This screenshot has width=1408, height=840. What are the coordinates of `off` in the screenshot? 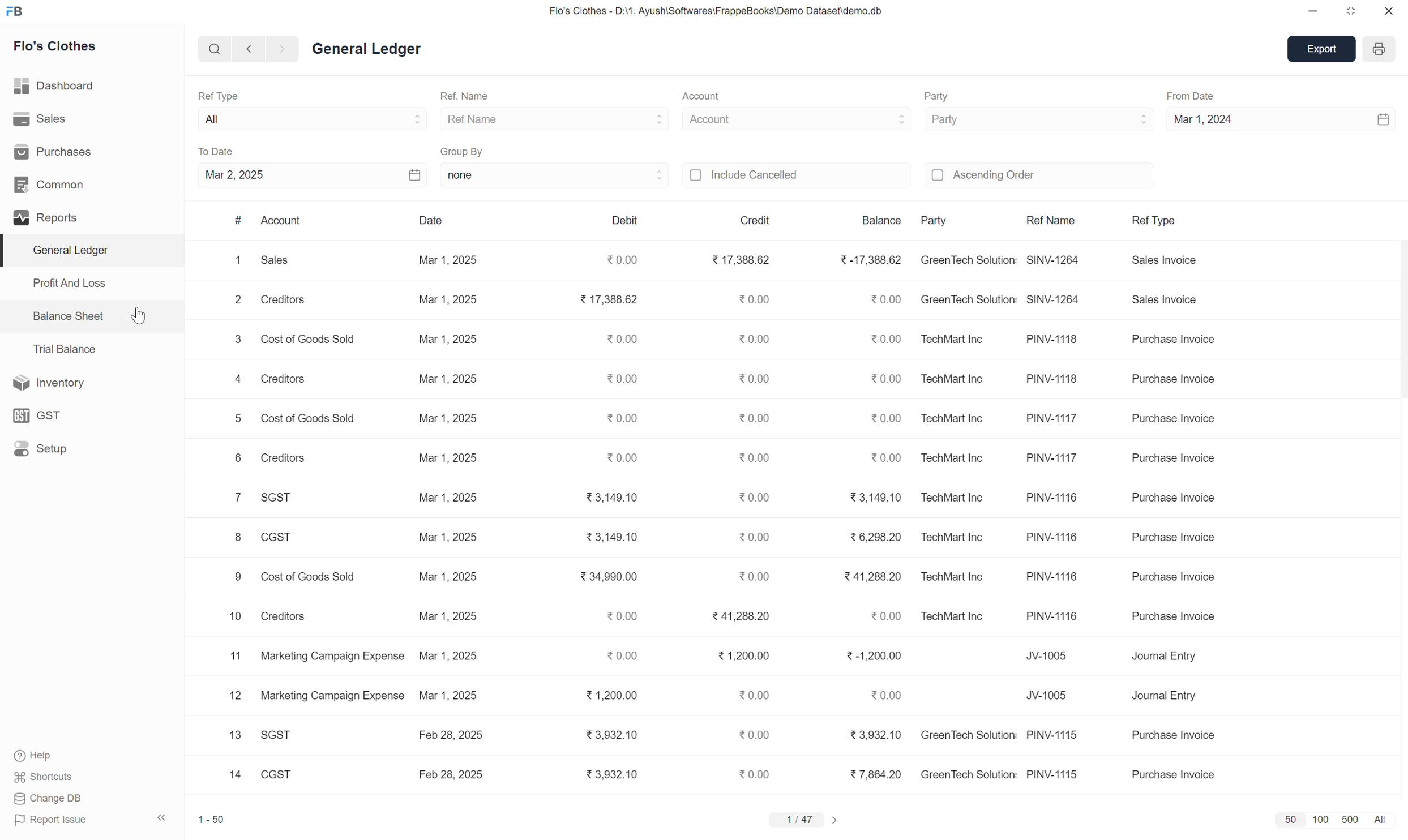 It's located at (695, 175).